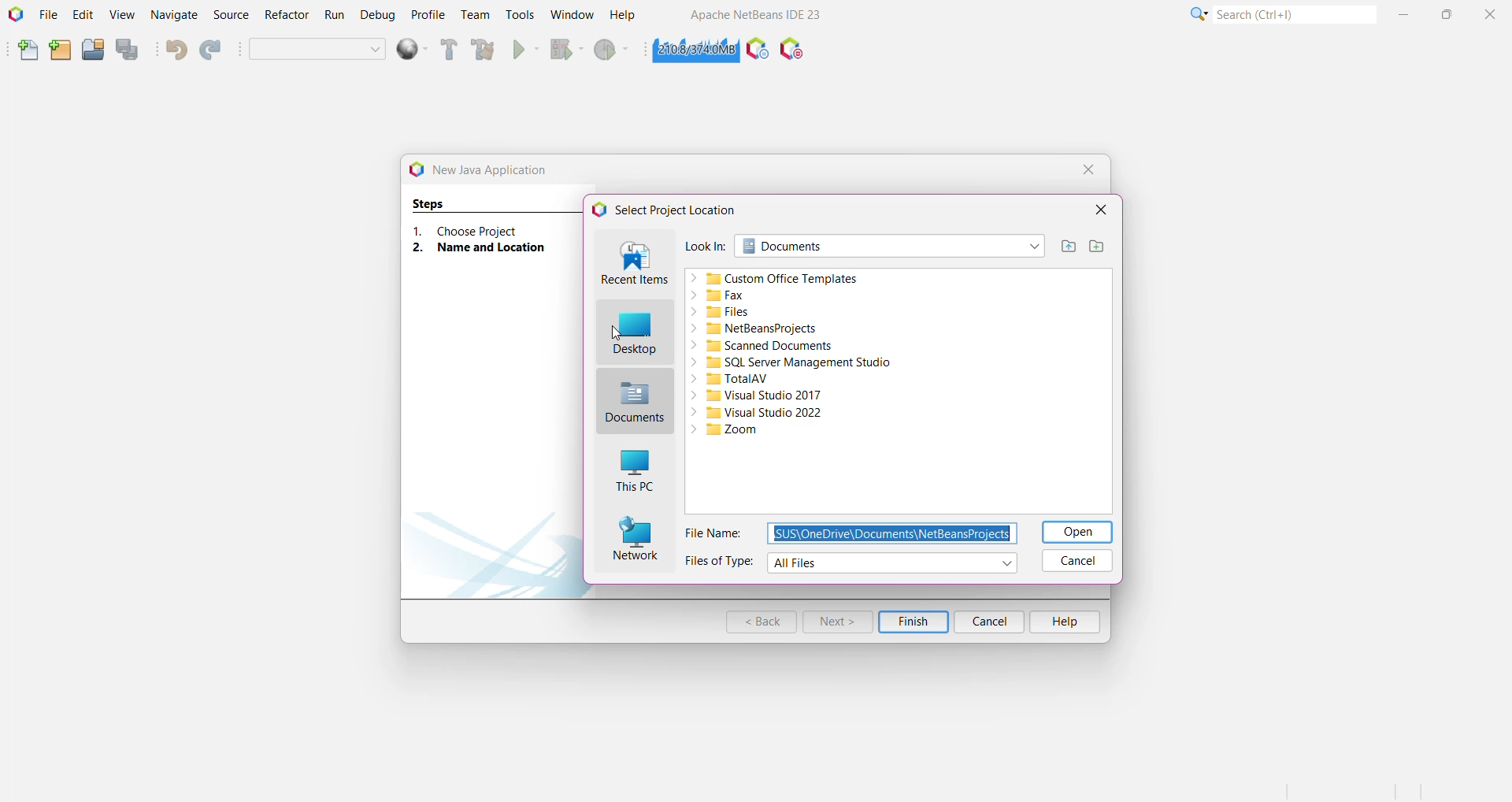 The image size is (1512, 802). What do you see at coordinates (893, 533) in the screenshot?
I see `Set Filename` at bounding box center [893, 533].